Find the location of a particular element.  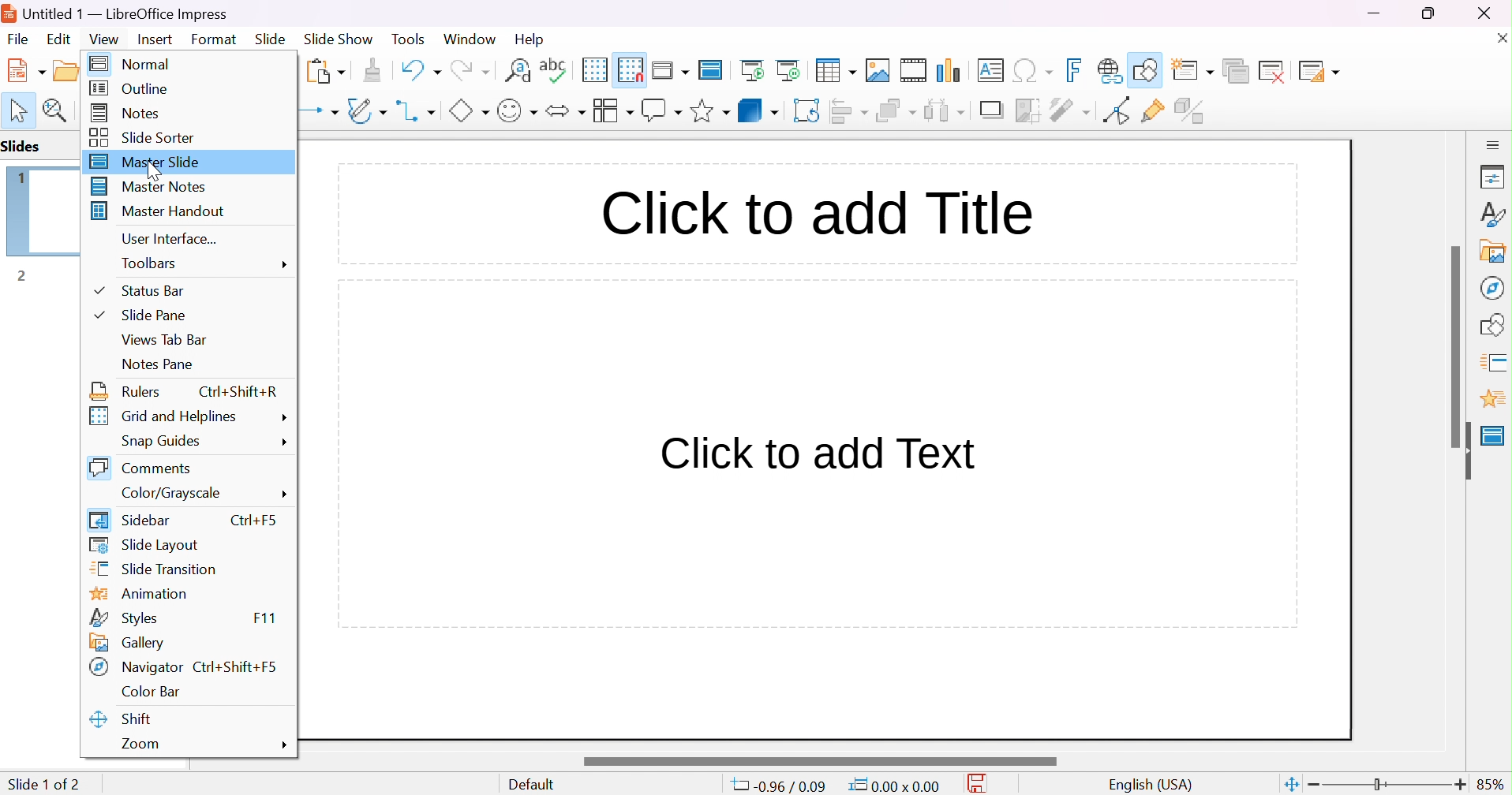

sidebar settings is located at coordinates (1494, 144).